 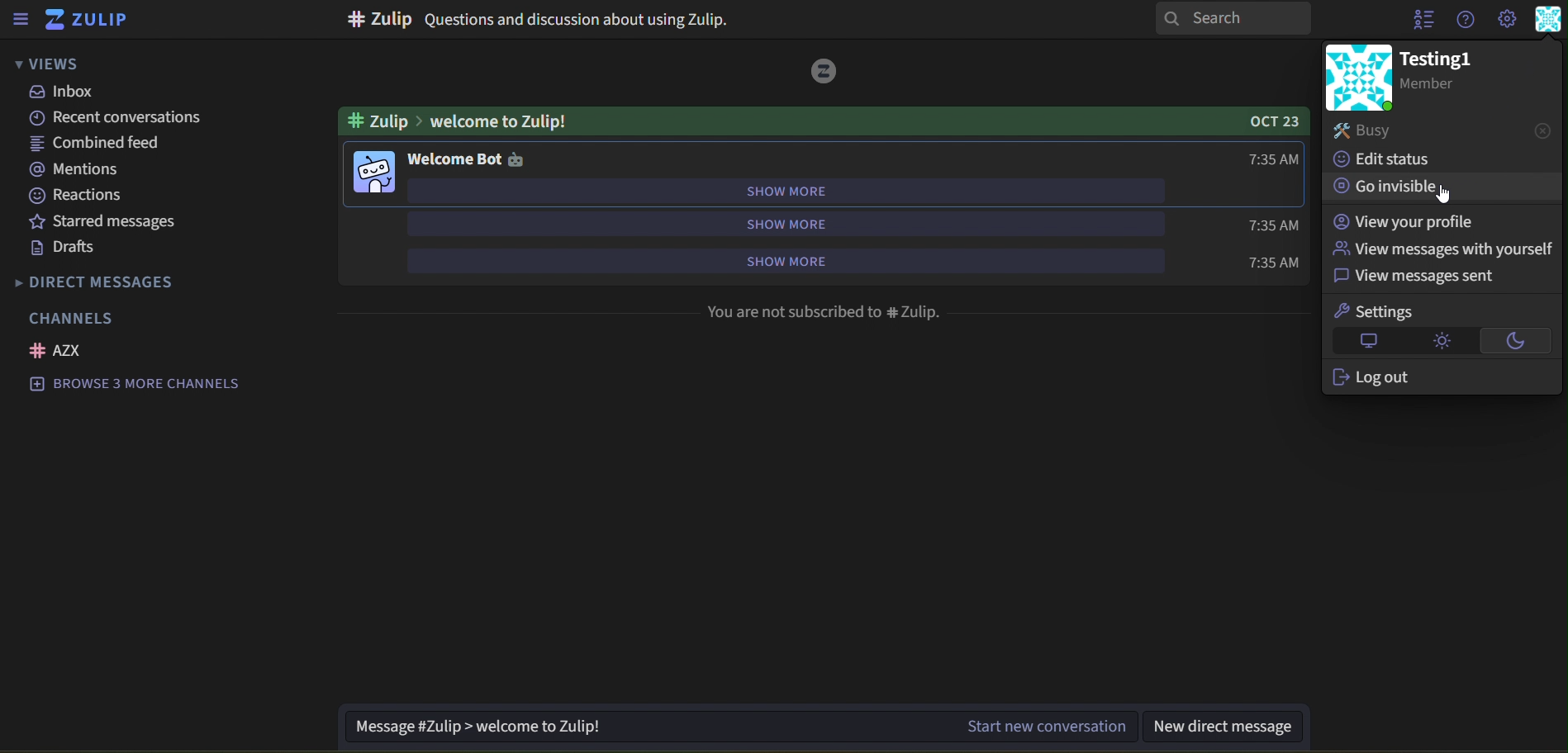 What do you see at coordinates (375, 175) in the screenshot?
I see `image` at bounding box center [375, 175].